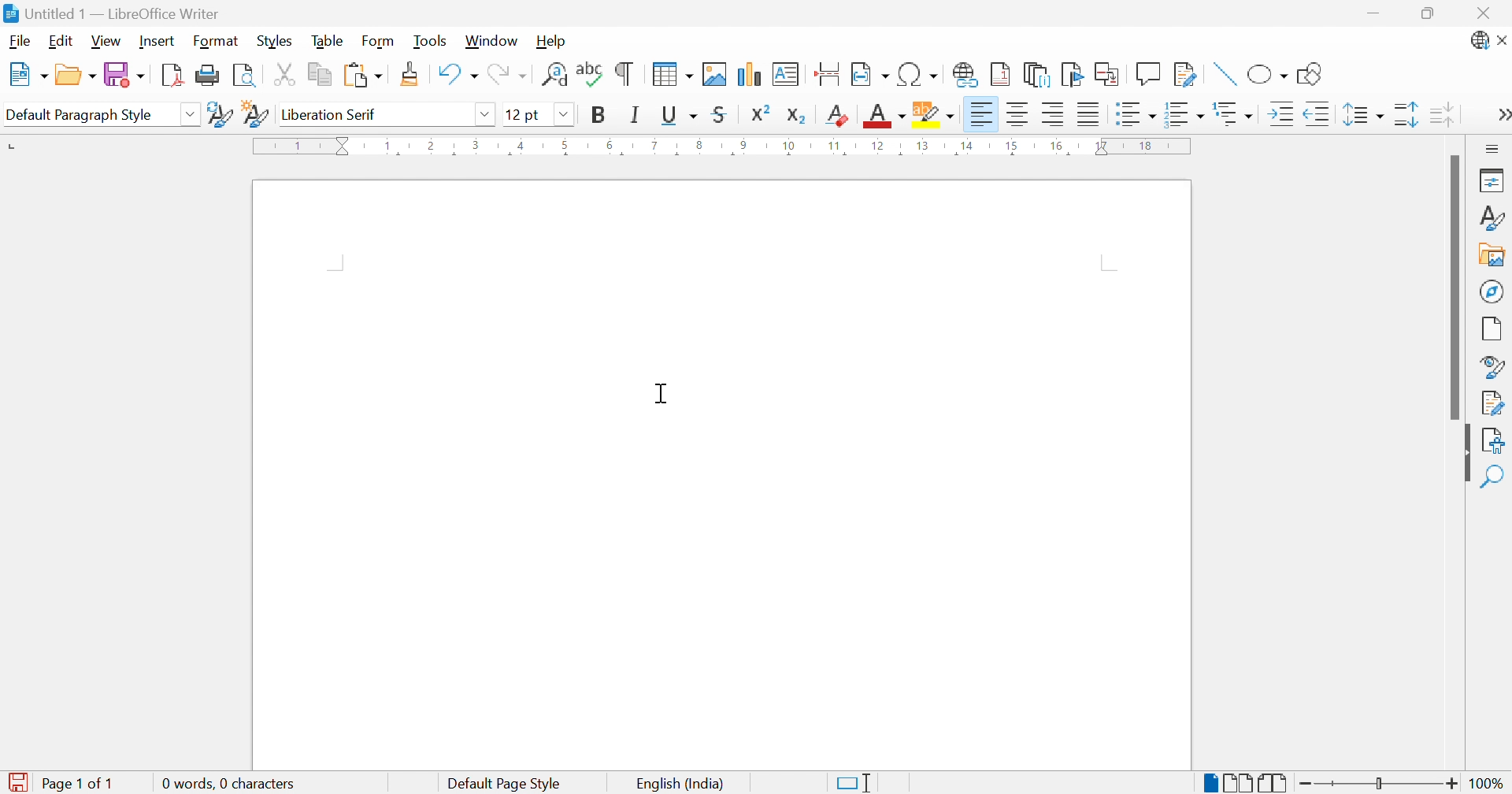  Describe the element at coordinates (728, 147) in the screenshot. I see `Ruler` at that location.